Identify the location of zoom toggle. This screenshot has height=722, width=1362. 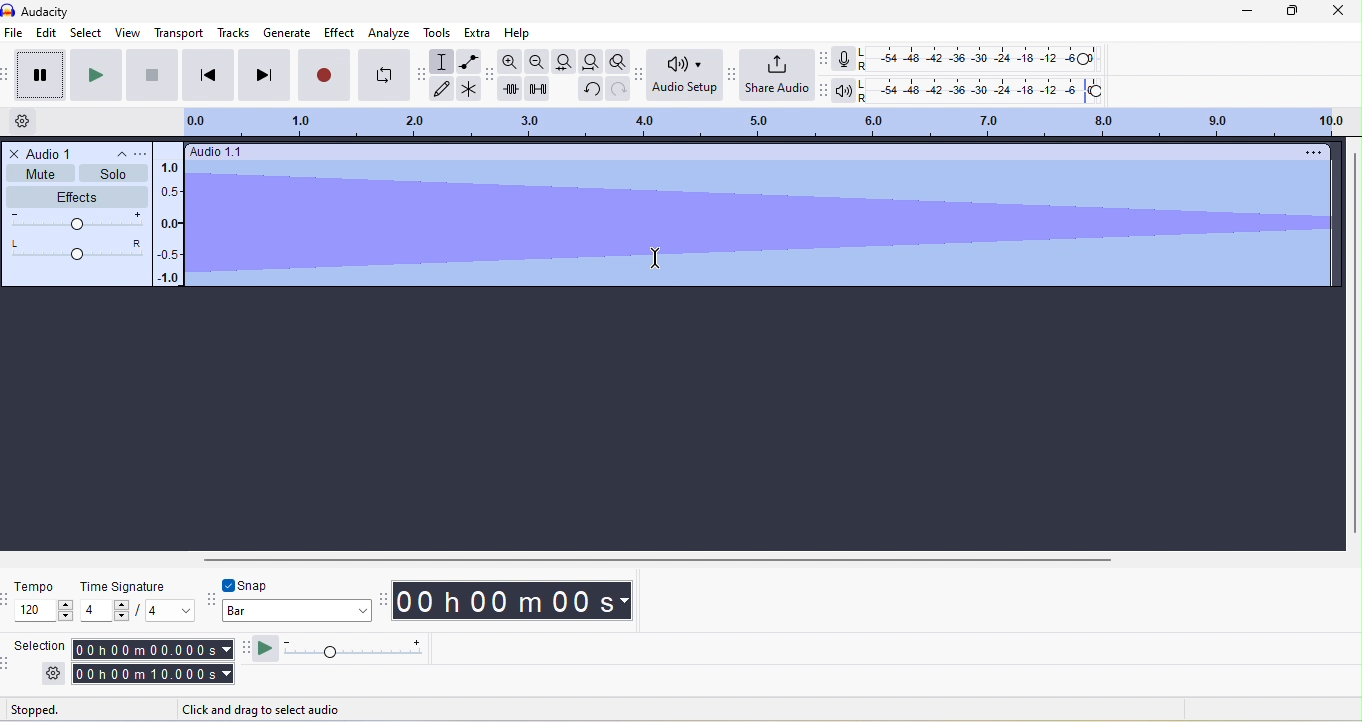
(620, 62).